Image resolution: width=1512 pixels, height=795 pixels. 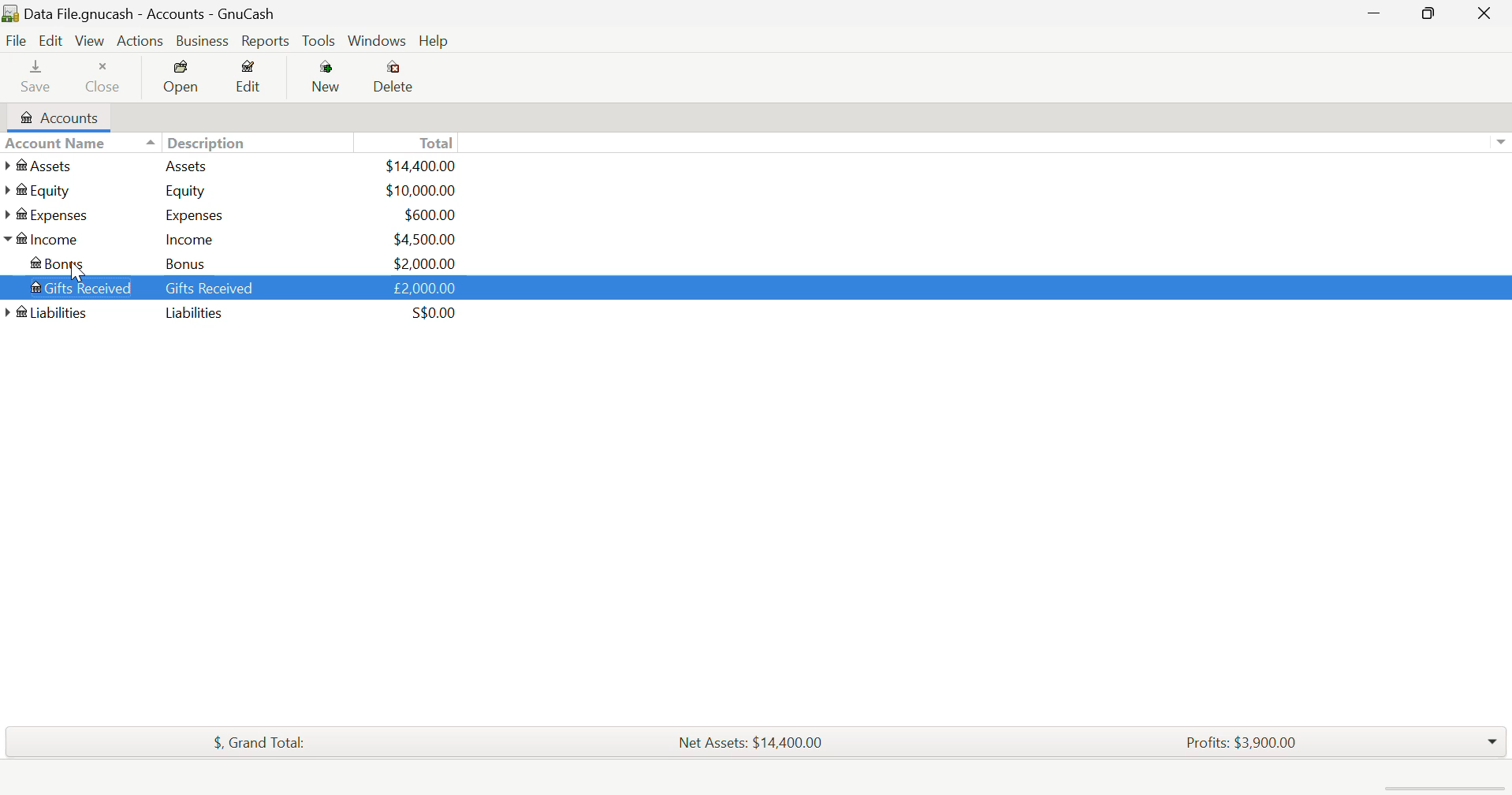 I want to click on Delete, so click(x=397, y=79).